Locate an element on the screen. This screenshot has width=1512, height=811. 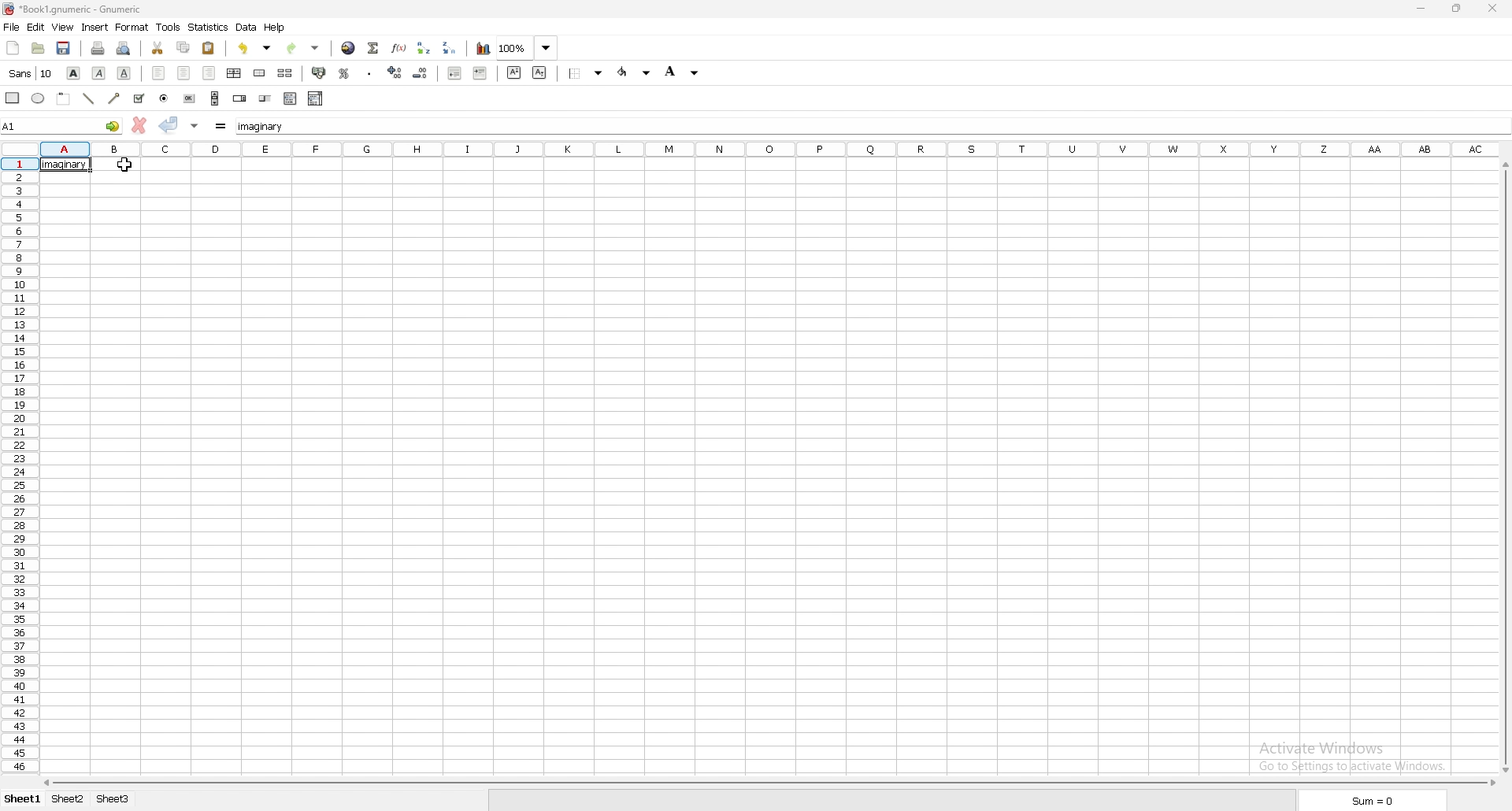
selected cells is located at coordinates (61, 125).